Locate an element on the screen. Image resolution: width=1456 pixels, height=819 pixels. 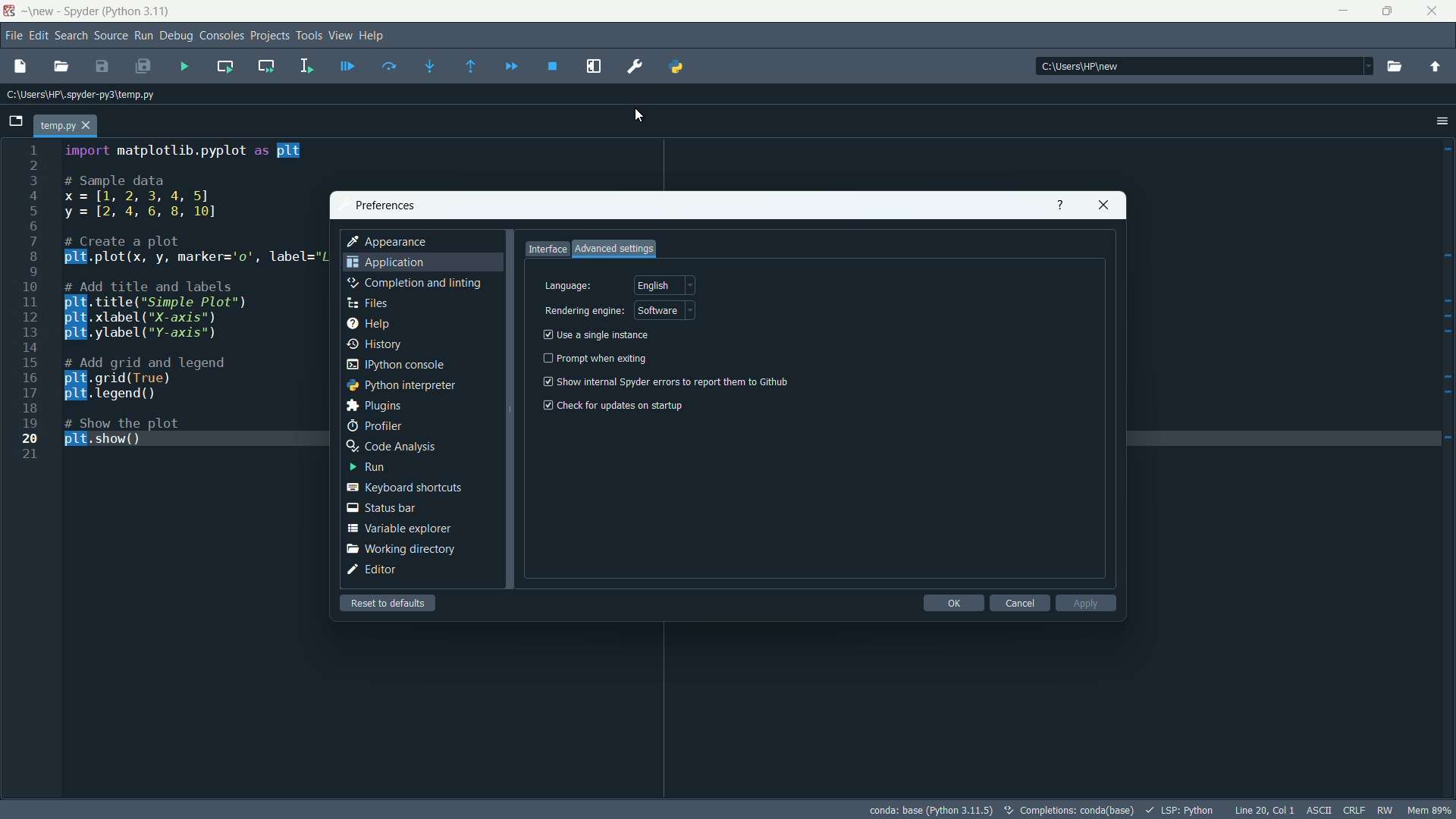
file encoding is located at coordinates (1319, 811).